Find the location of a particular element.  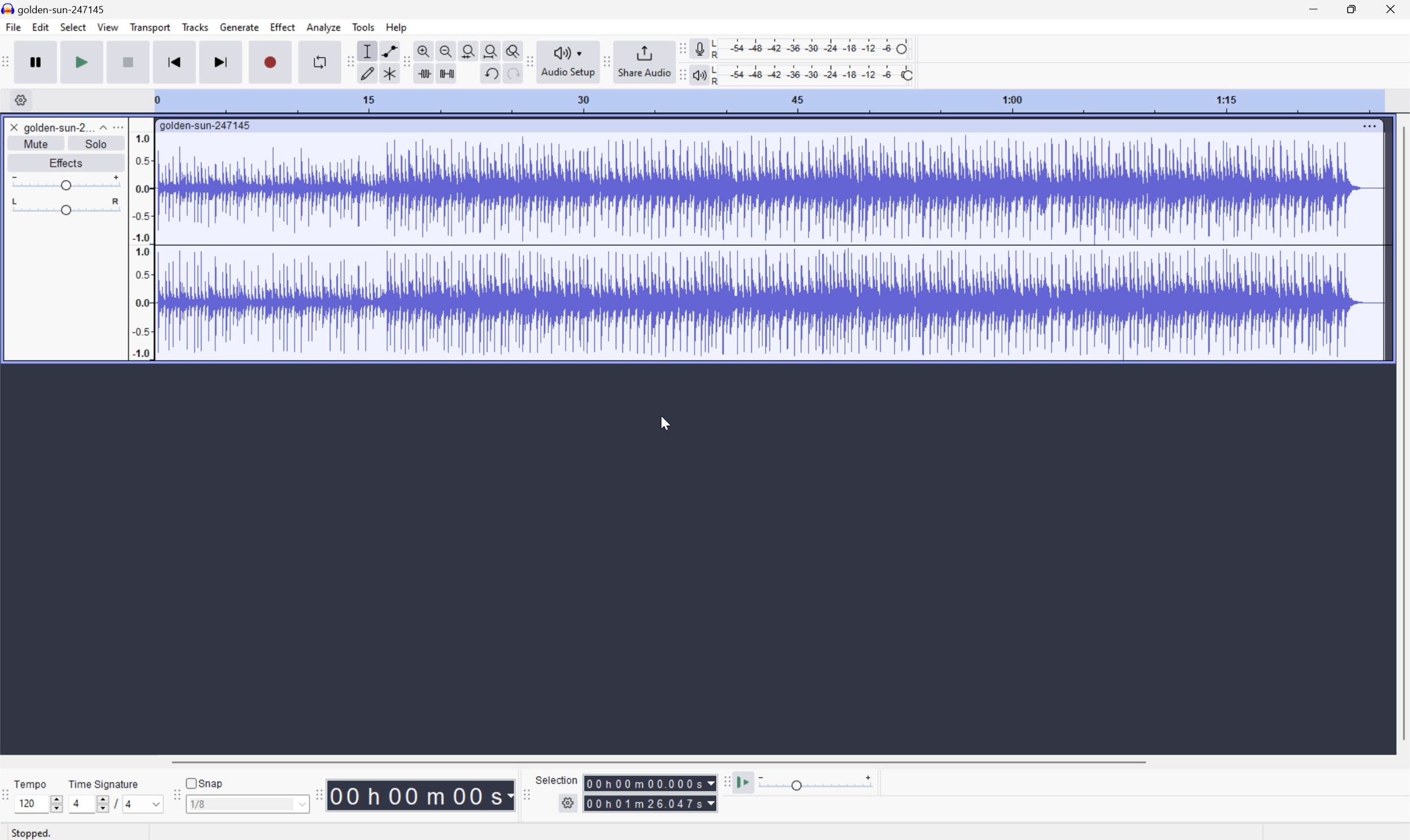

golden-sun-247145 is located at coordinates (206, 127).